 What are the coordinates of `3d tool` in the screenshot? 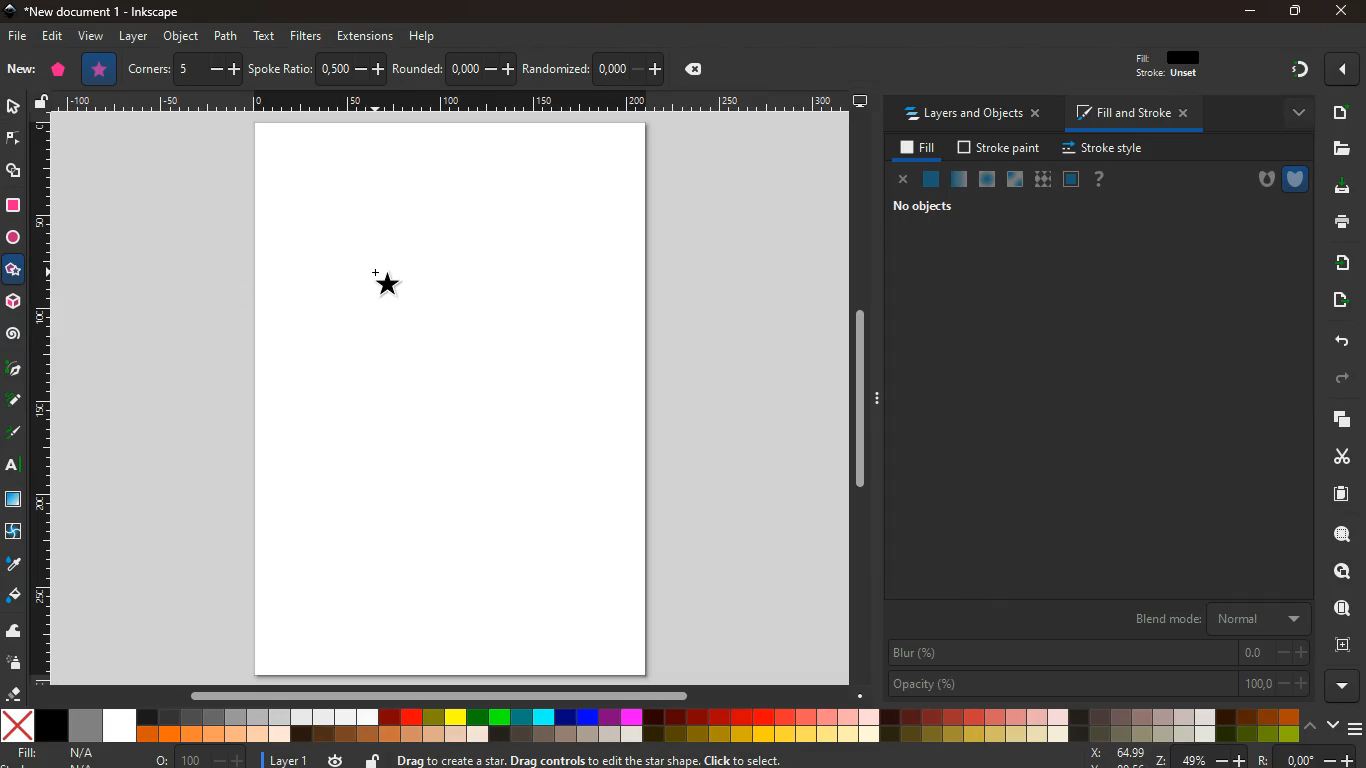 It's located at (13, 302).